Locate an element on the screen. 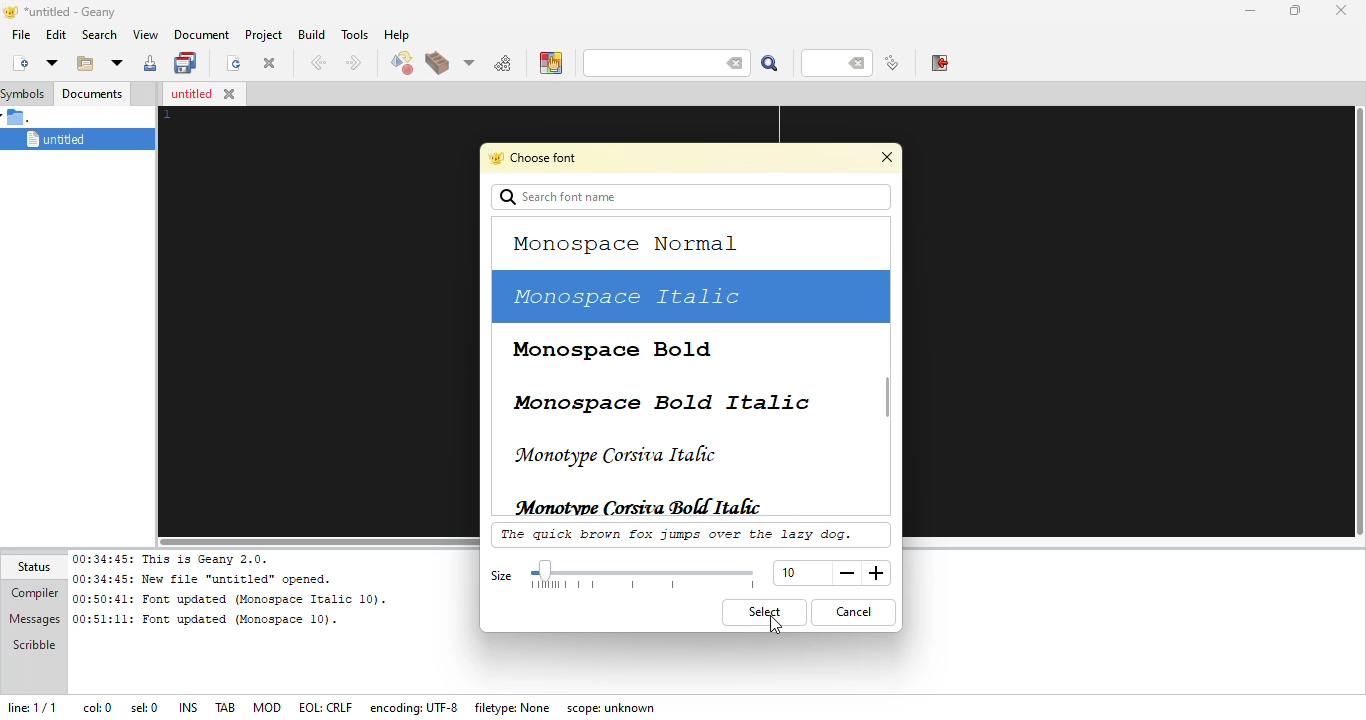  size is located at coordinates (501, 576).